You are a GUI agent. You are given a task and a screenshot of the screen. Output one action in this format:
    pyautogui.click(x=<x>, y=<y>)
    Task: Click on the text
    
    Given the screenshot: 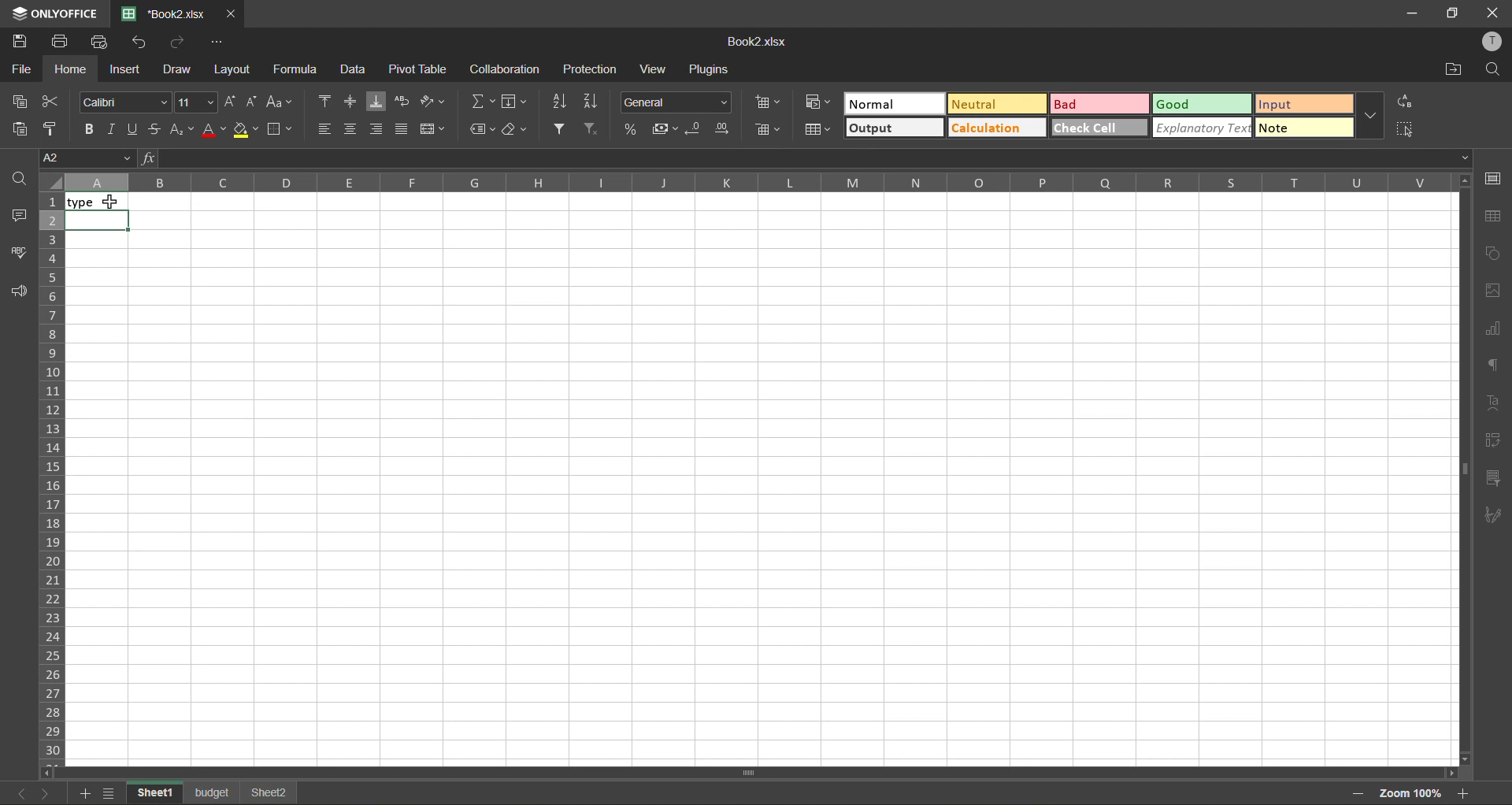 What is the action you would take?
    pyautogui.click(x=1495, y=403)
    